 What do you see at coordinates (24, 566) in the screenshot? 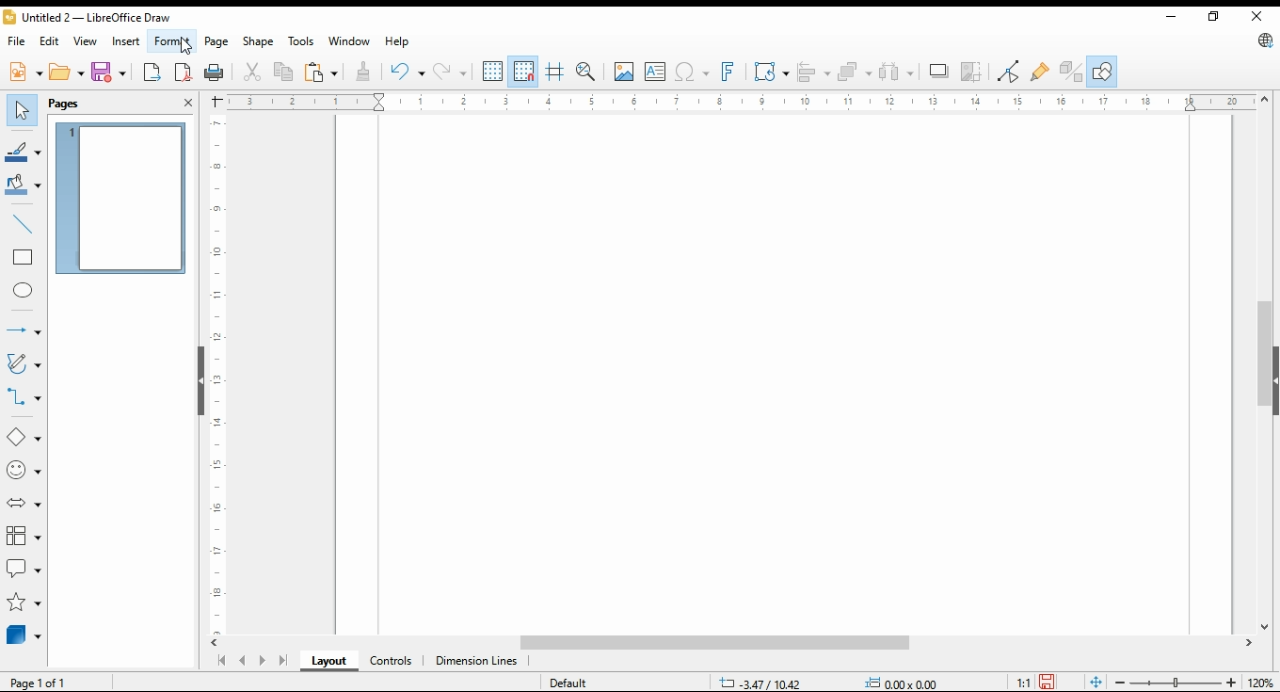
I see `callout shapes` at bounding box center [24, 566].